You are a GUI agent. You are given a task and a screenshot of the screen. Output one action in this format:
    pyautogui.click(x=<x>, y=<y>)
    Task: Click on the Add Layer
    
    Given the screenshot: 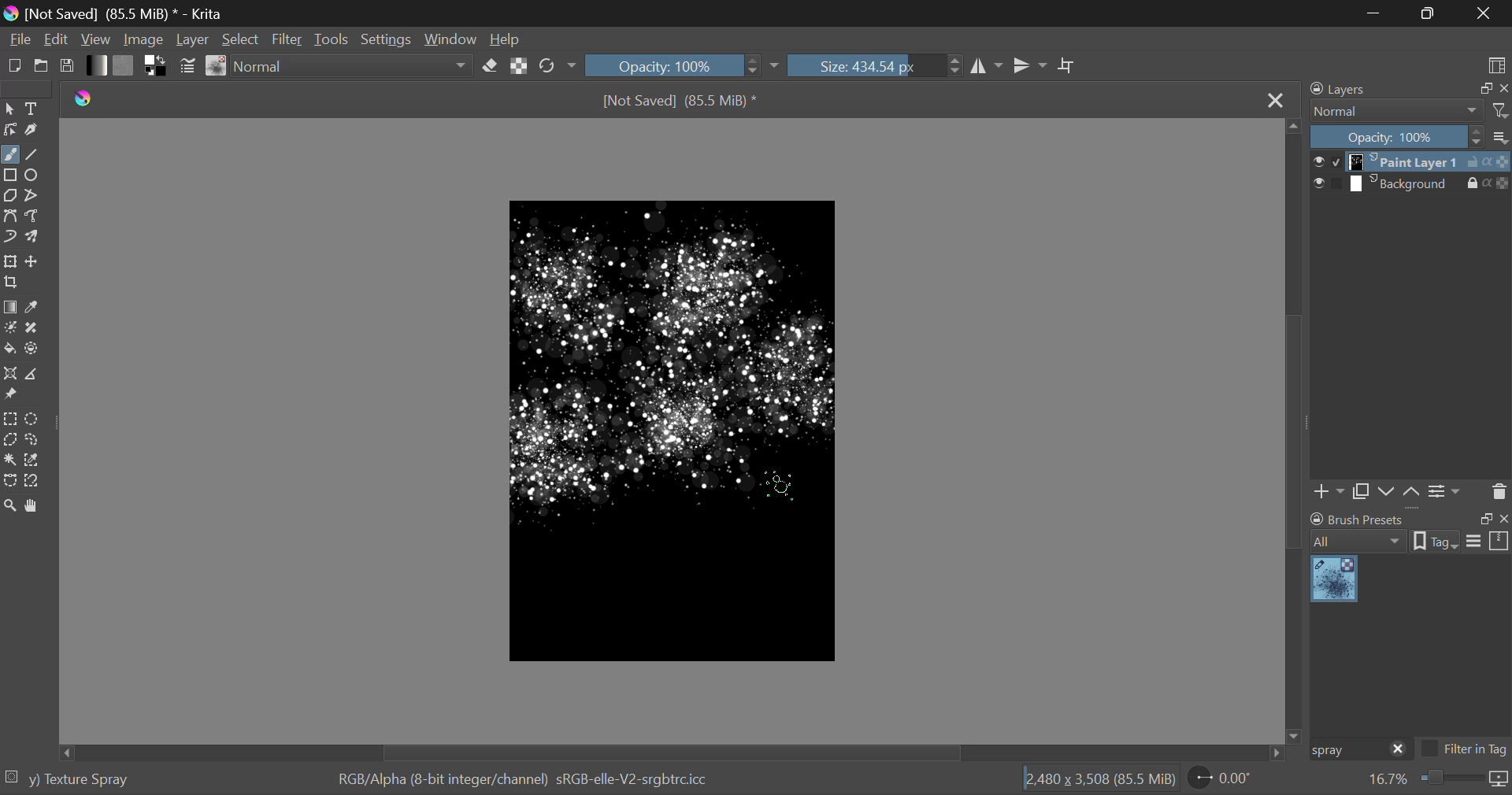 What is the action you would take?
    pyautogui.click(x=1329, y=494)
    